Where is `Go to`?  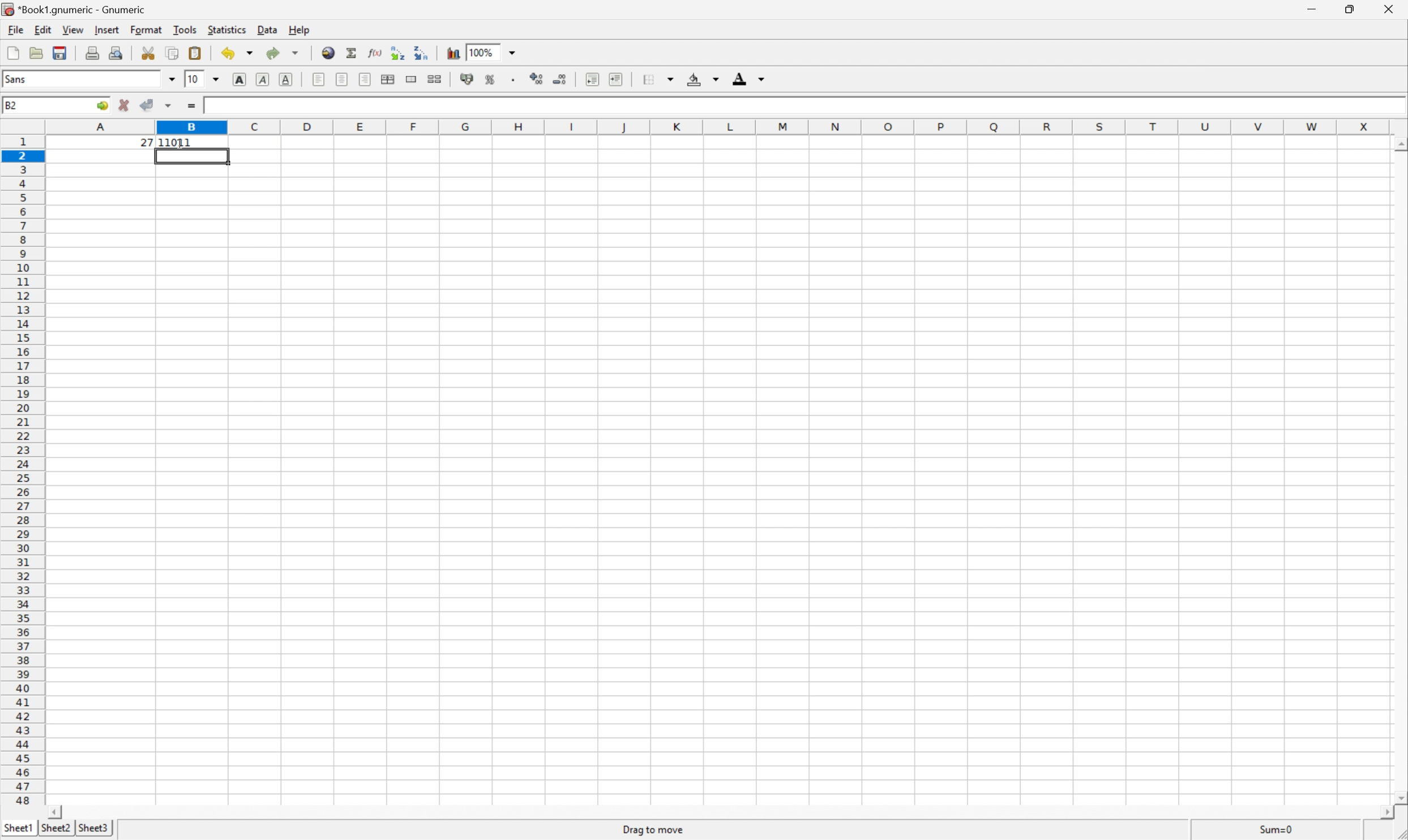
Go to is located at coordinates (100, 105).